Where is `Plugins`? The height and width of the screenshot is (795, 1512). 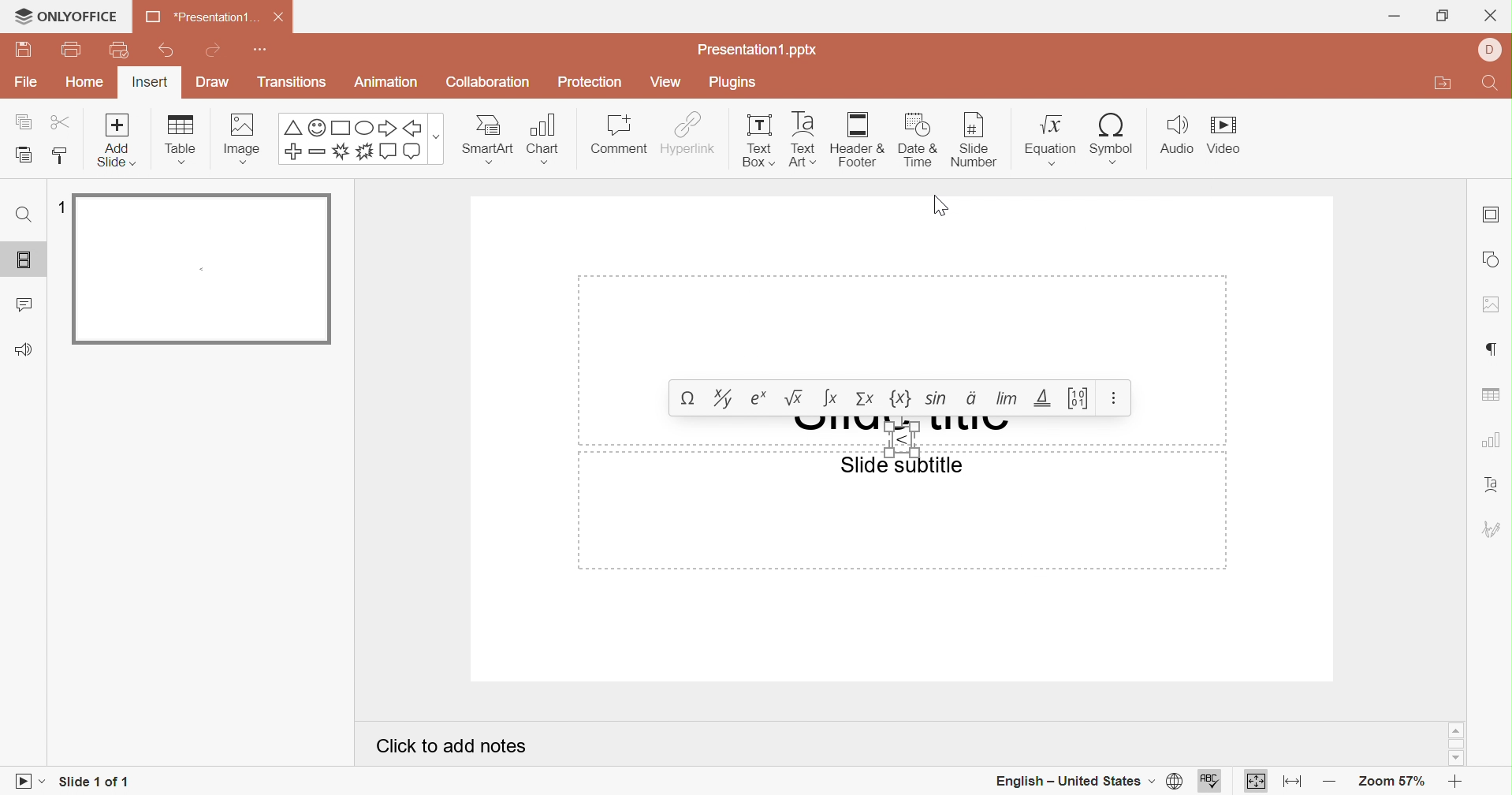
Plugins is located at coordinates (731, 84).